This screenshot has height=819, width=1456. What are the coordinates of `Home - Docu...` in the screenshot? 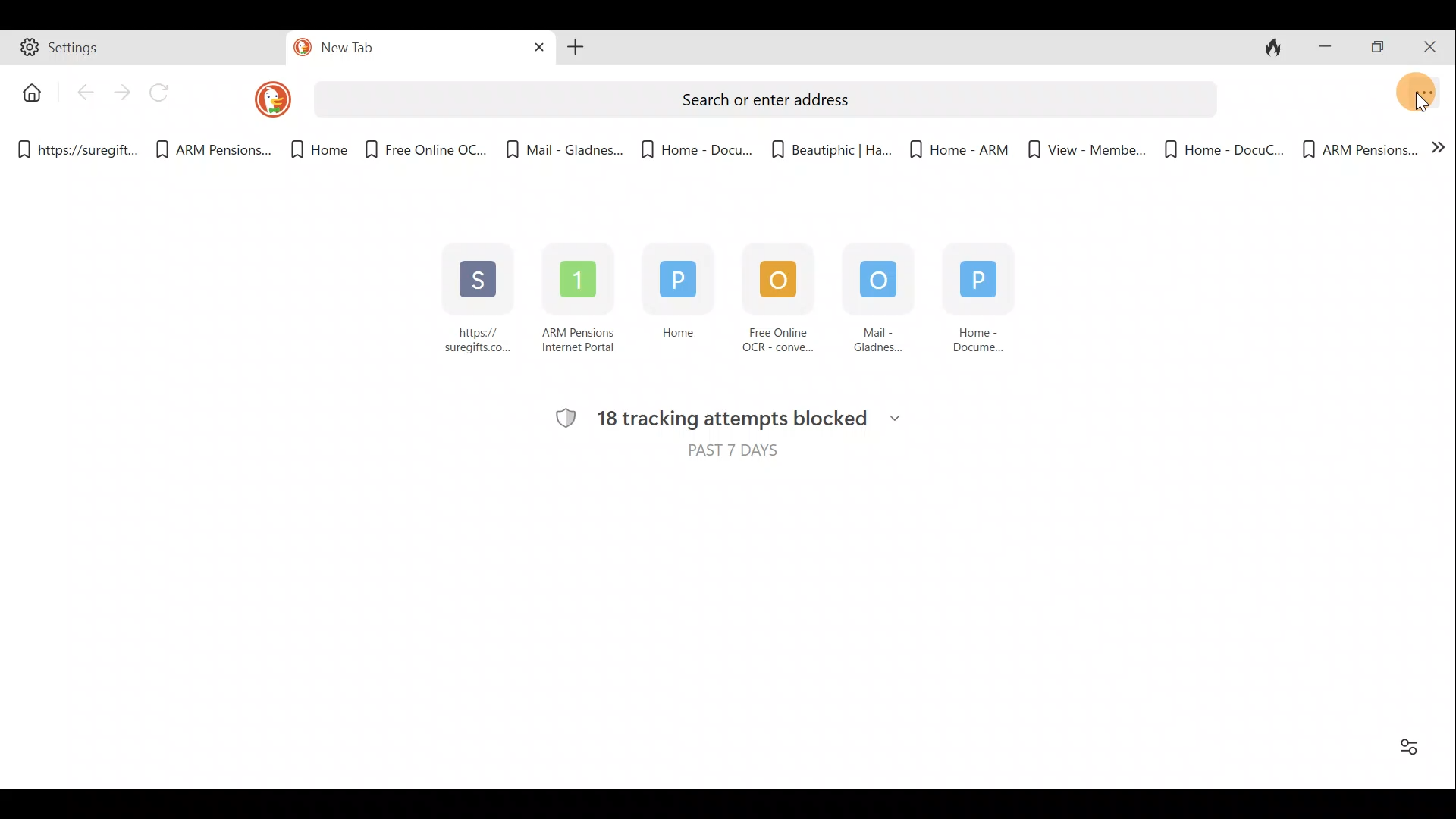 It's located at (695, 145).